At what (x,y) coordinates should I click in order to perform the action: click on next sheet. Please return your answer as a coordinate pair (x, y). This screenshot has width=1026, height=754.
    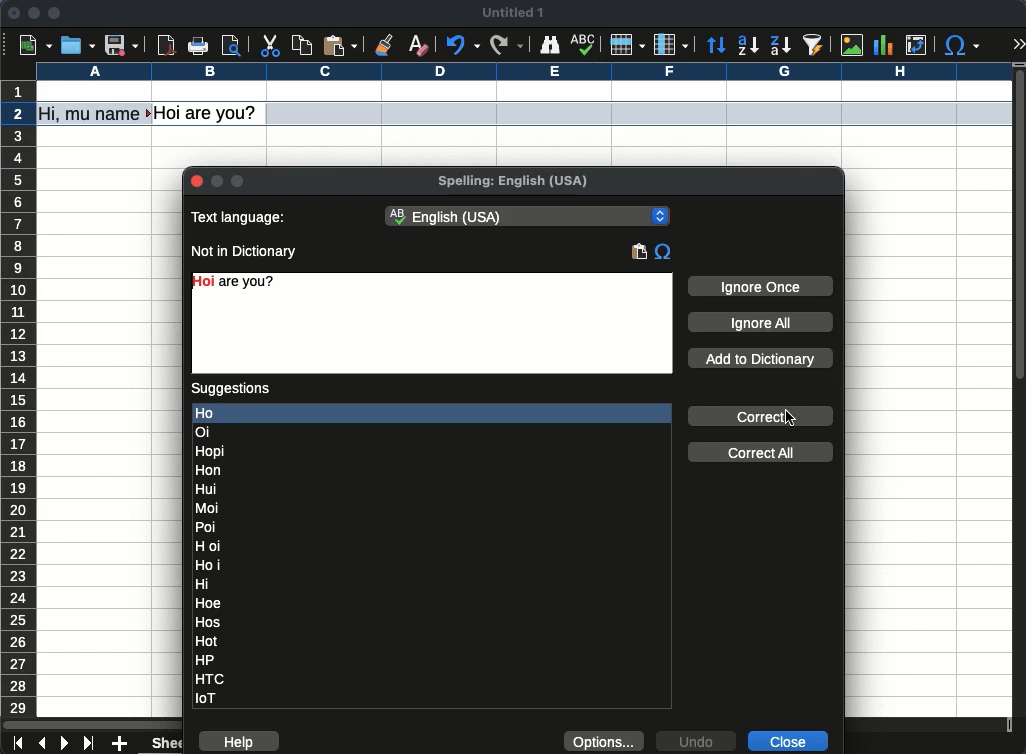
    Looking at the image, I should click on (65, 743).